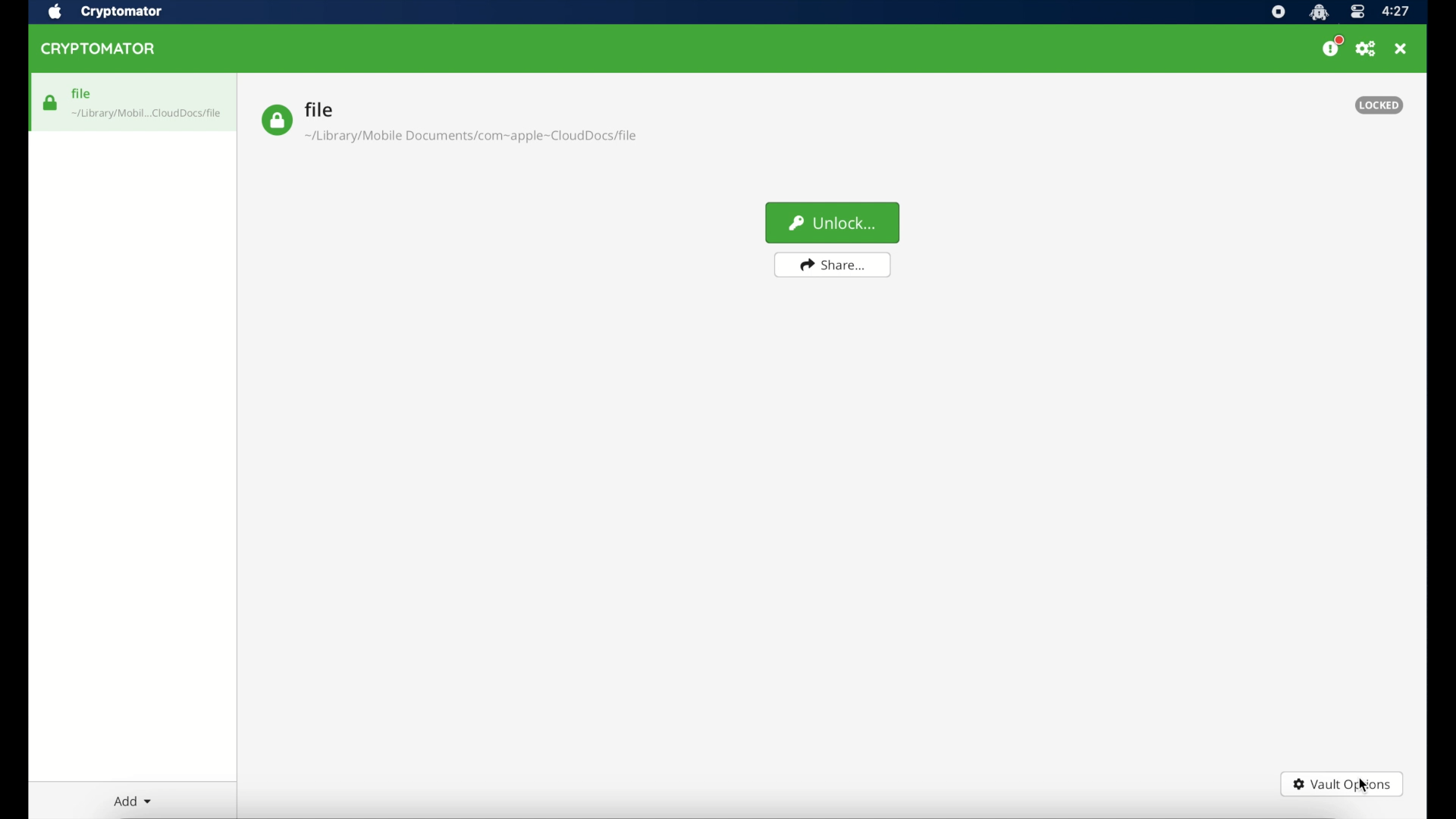  What do you see at coordinates (1332, 47) in the screenshot?
I see `donate` at bounding box center [1332, 47].